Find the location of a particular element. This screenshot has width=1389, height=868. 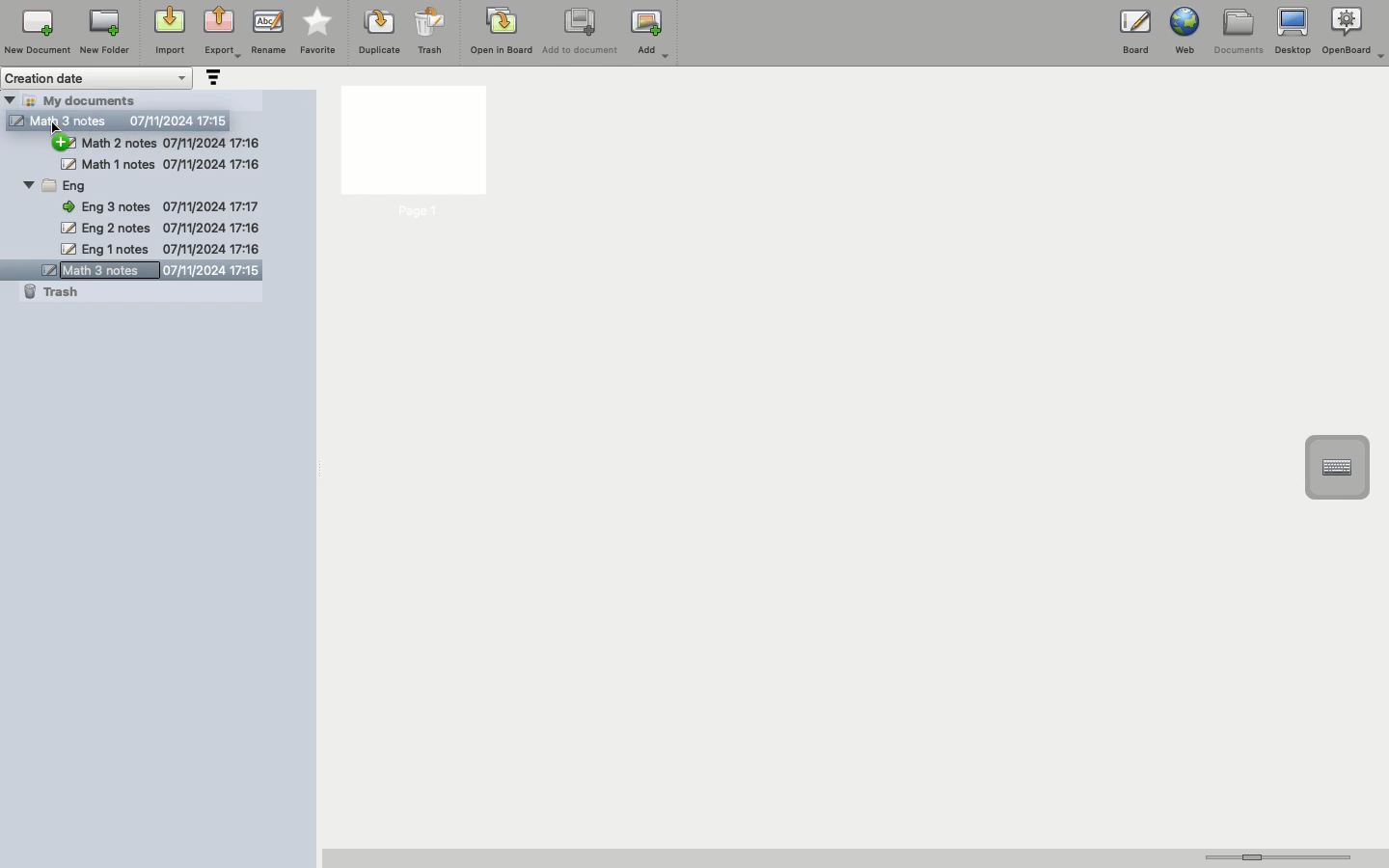

Desktop is located at coordinates (1293, 32).